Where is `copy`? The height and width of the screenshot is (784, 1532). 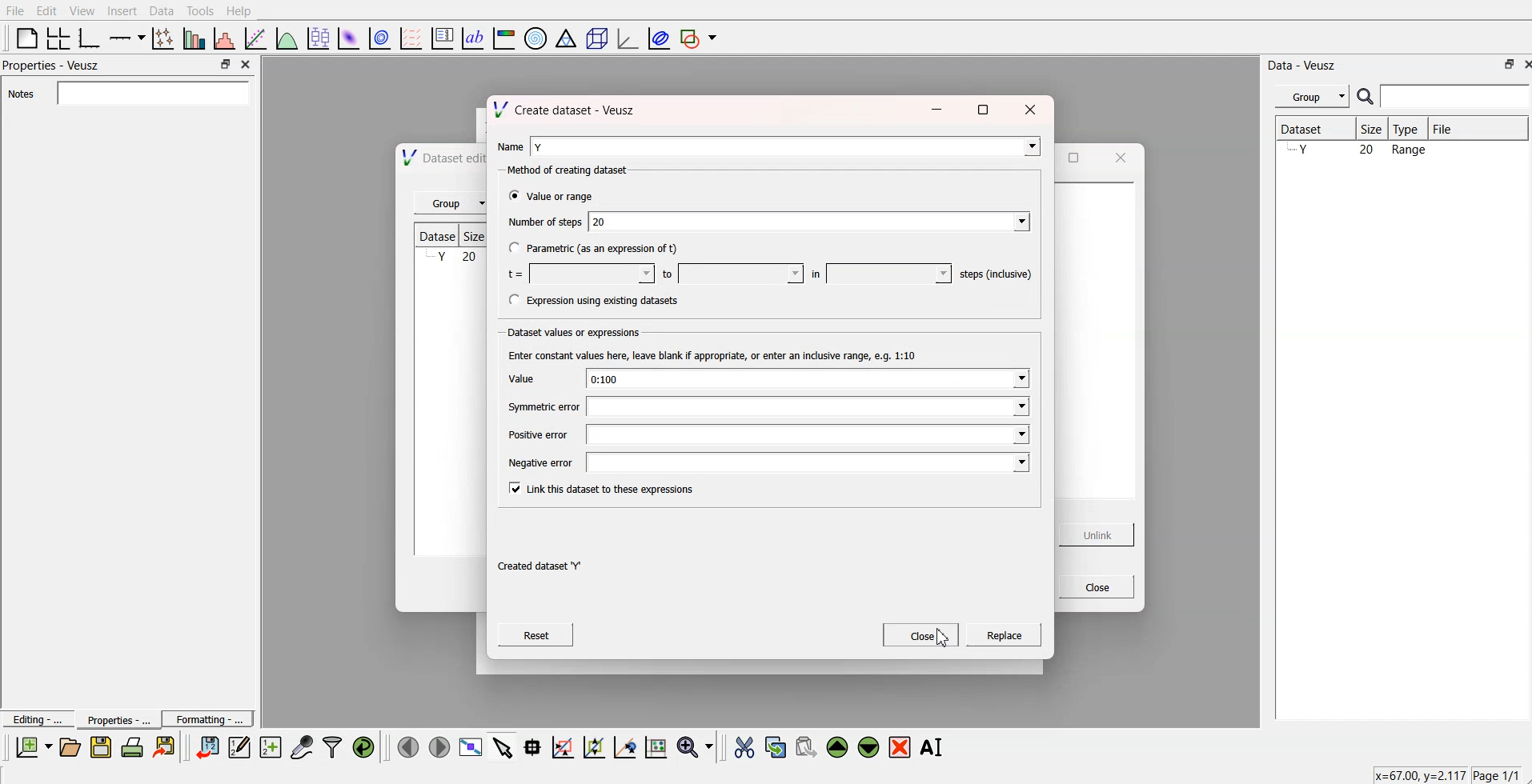 copy is located at coordinates (777, 744).